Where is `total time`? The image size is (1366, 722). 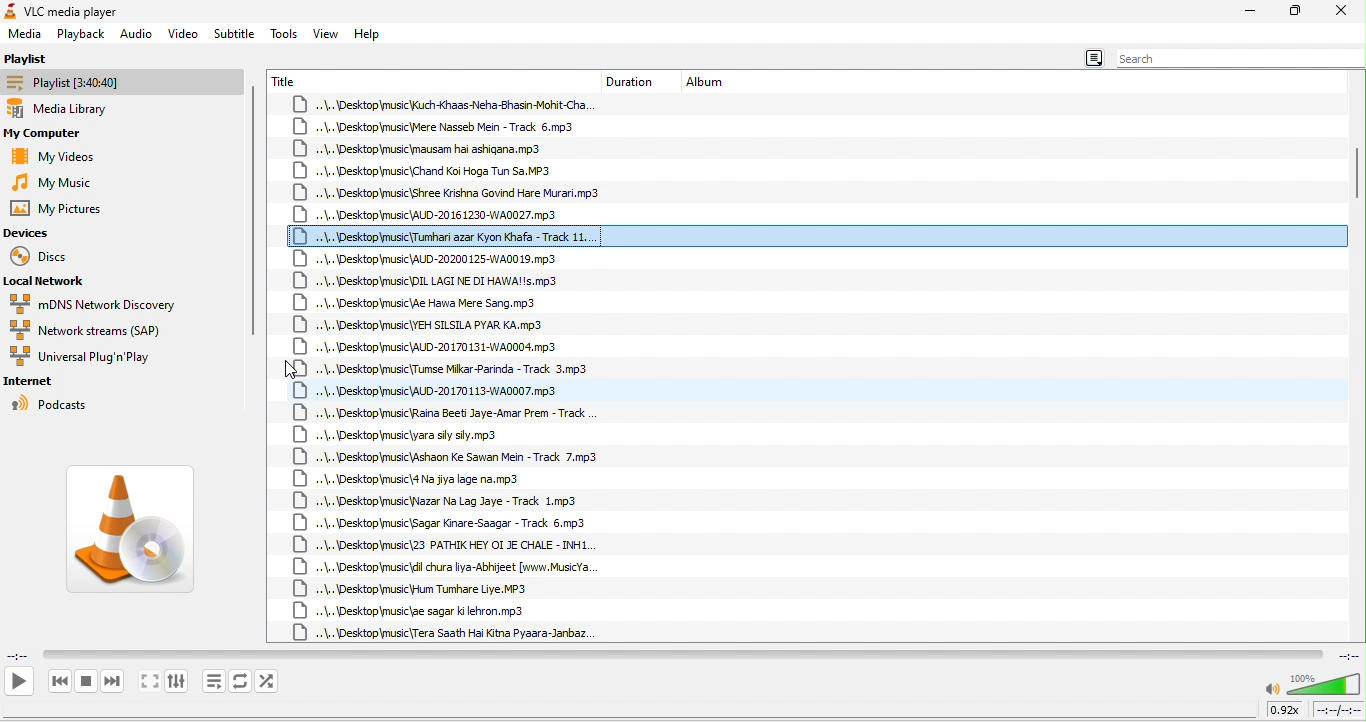
total time is located at coordinates (1346, 655).